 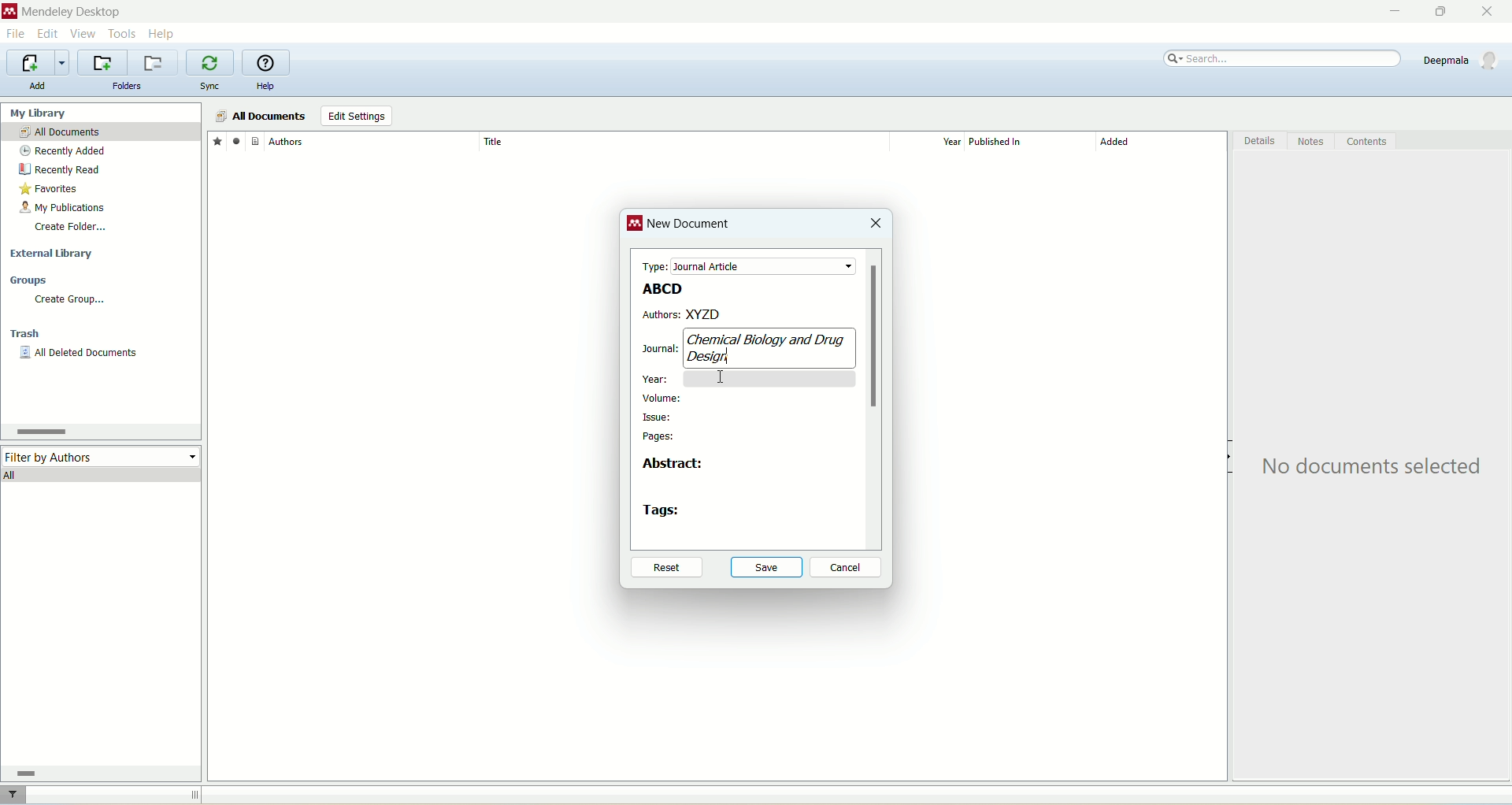 I want to click on my publication, so click(x=65, y=209).